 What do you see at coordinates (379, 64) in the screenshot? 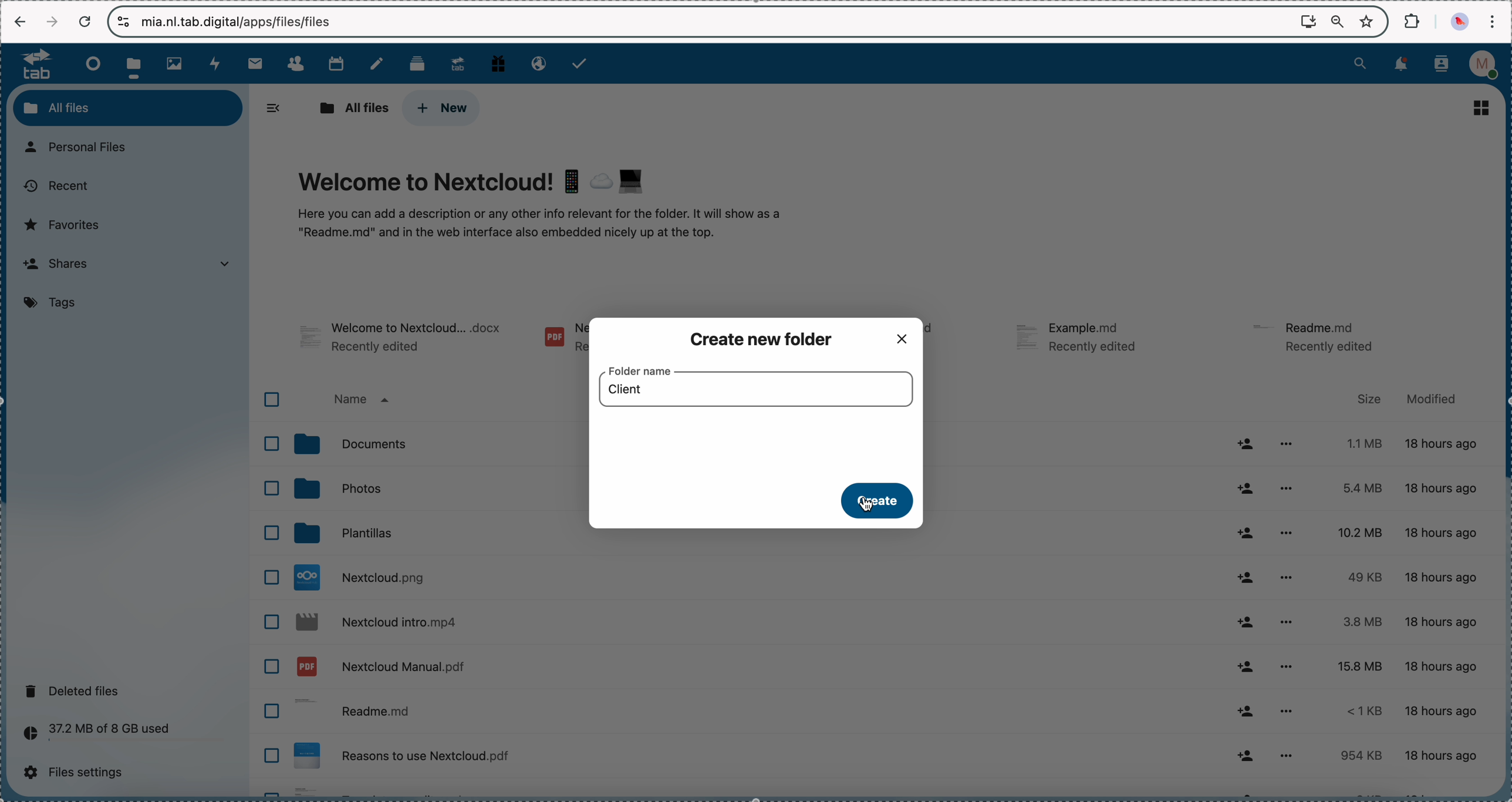
I see `notes` at bounding box center [379, 64].